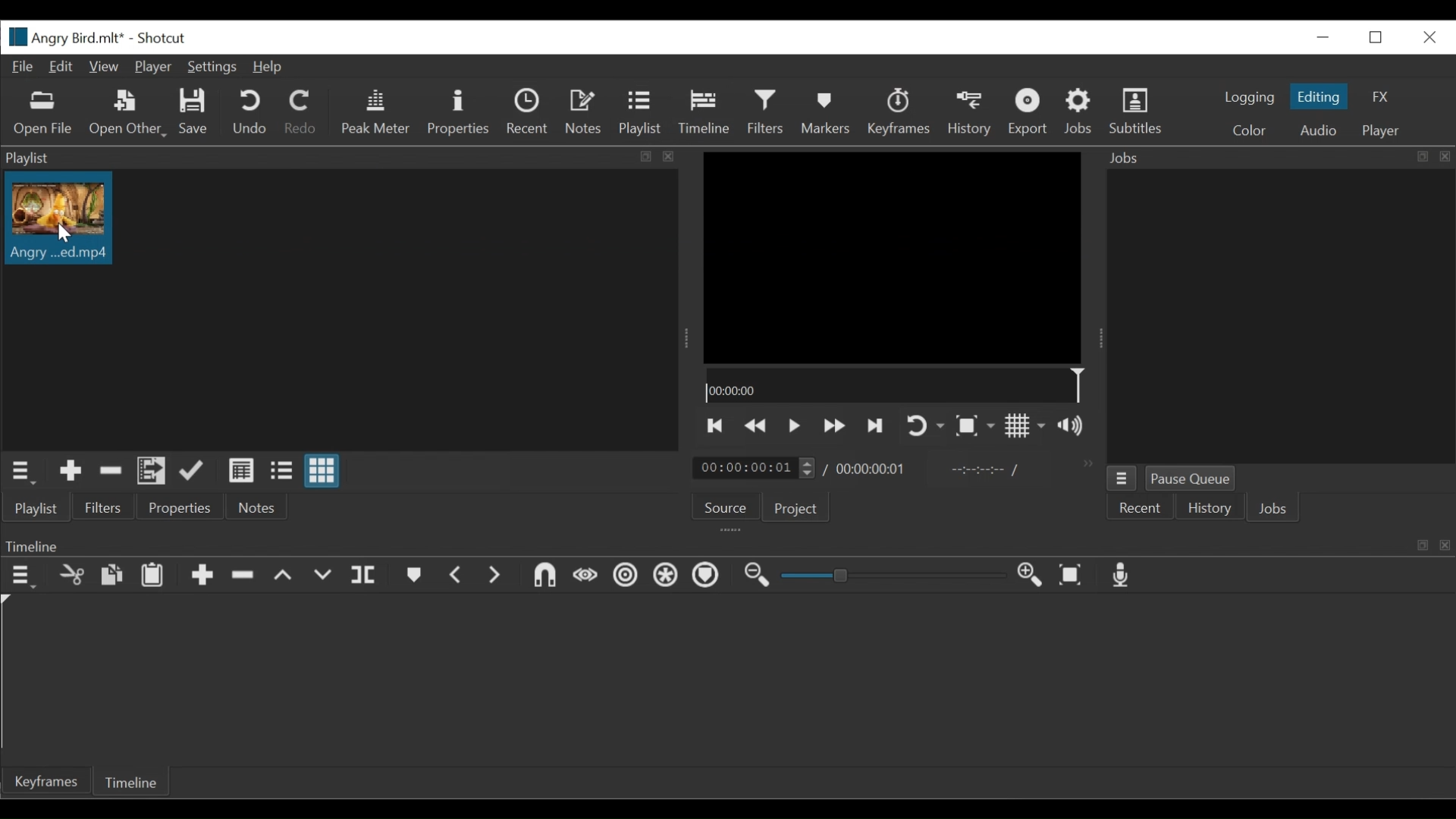 The width and height of the screenshot is (1456, 819). Describe the element at coordinates (529, 112) in the screenshot. I see `Recent` at that location.